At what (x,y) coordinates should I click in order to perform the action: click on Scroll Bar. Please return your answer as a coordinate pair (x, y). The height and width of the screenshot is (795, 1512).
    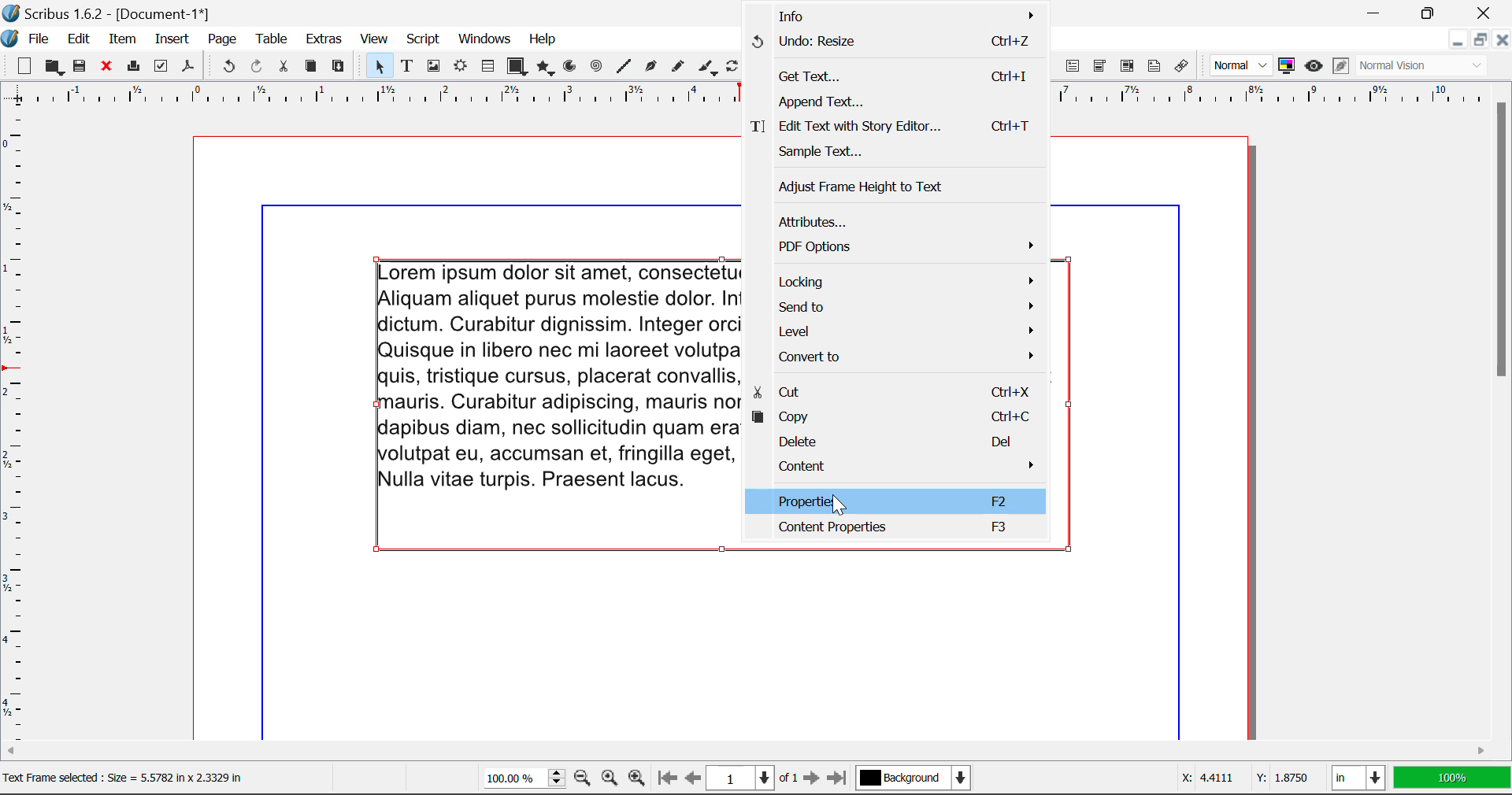
    Looking at the image, I should click on (748, 752).